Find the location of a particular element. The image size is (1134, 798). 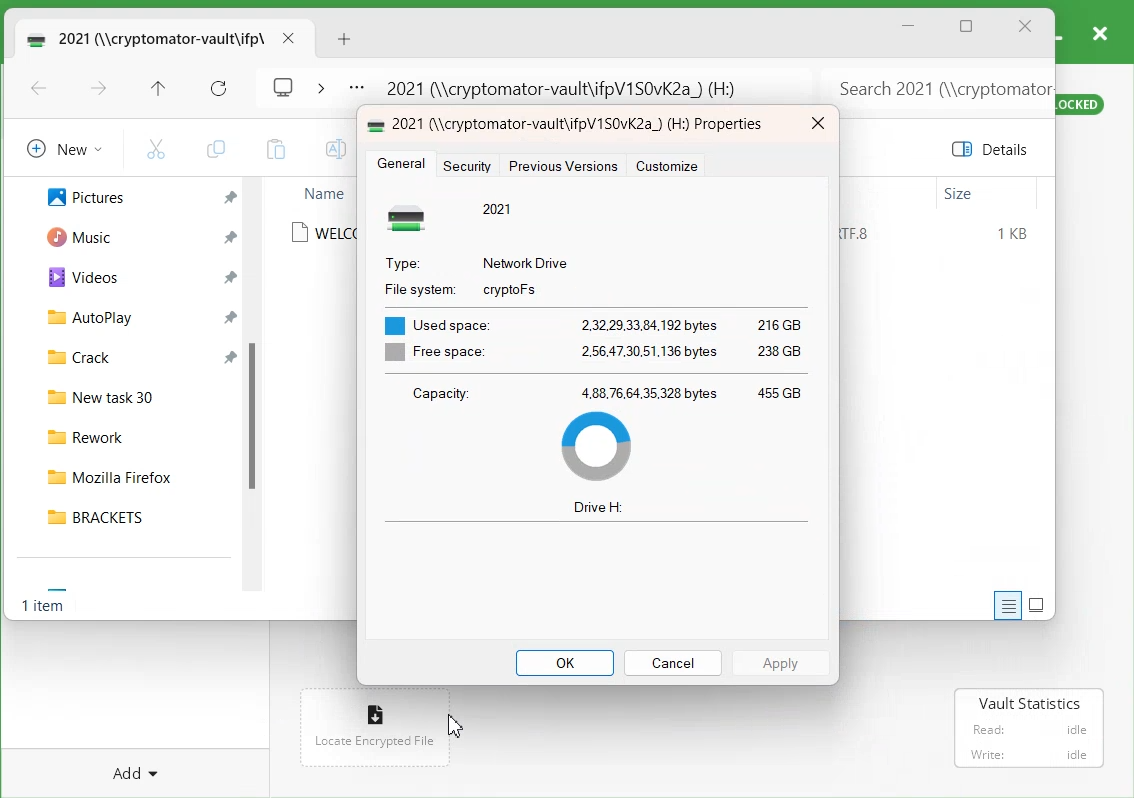

New task 30 is located at coordinates (131, 394).